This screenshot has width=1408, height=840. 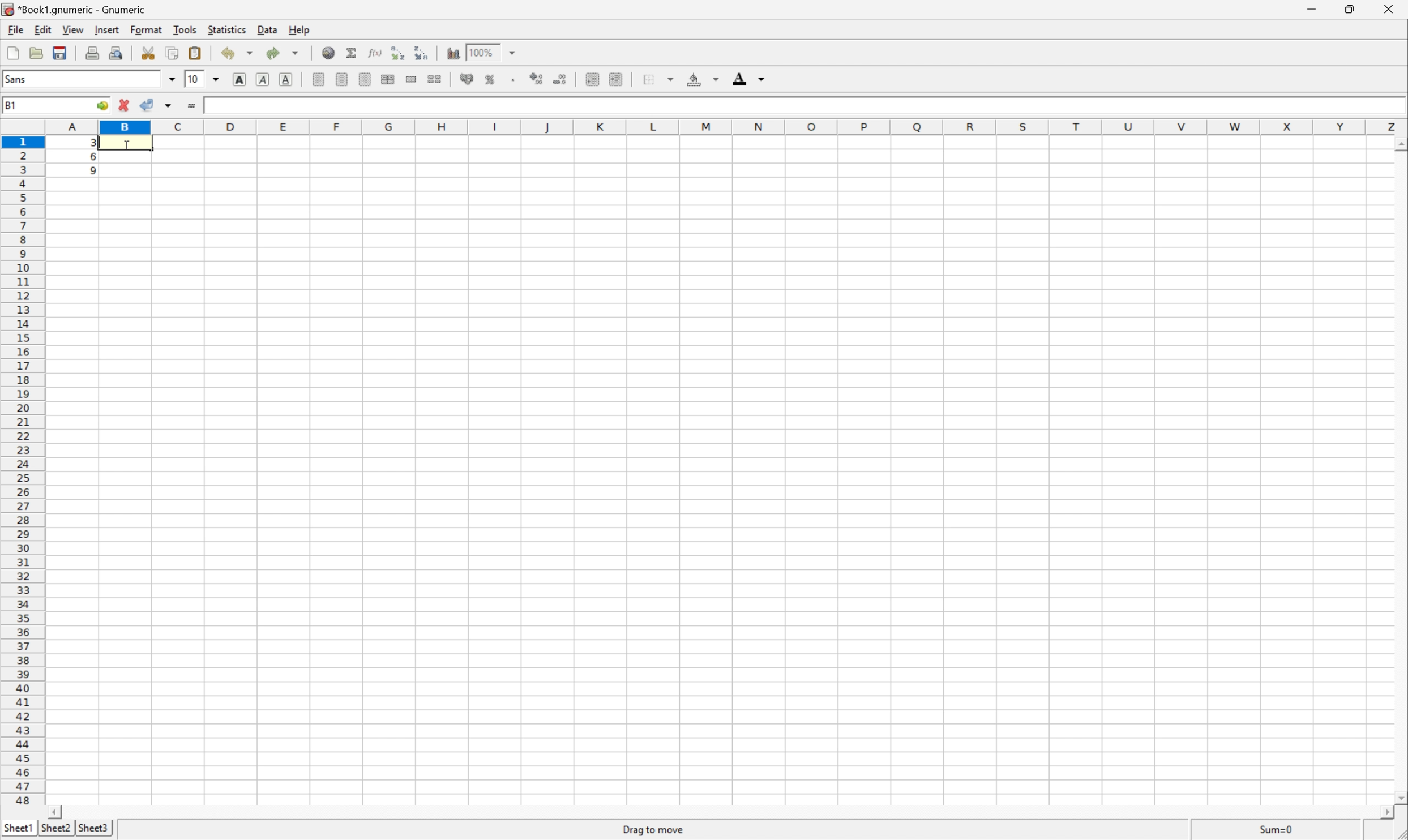 What do you see at coordinates (287, 79) in the screenshot?
I see `Underline` at bounding box center [287, 79].